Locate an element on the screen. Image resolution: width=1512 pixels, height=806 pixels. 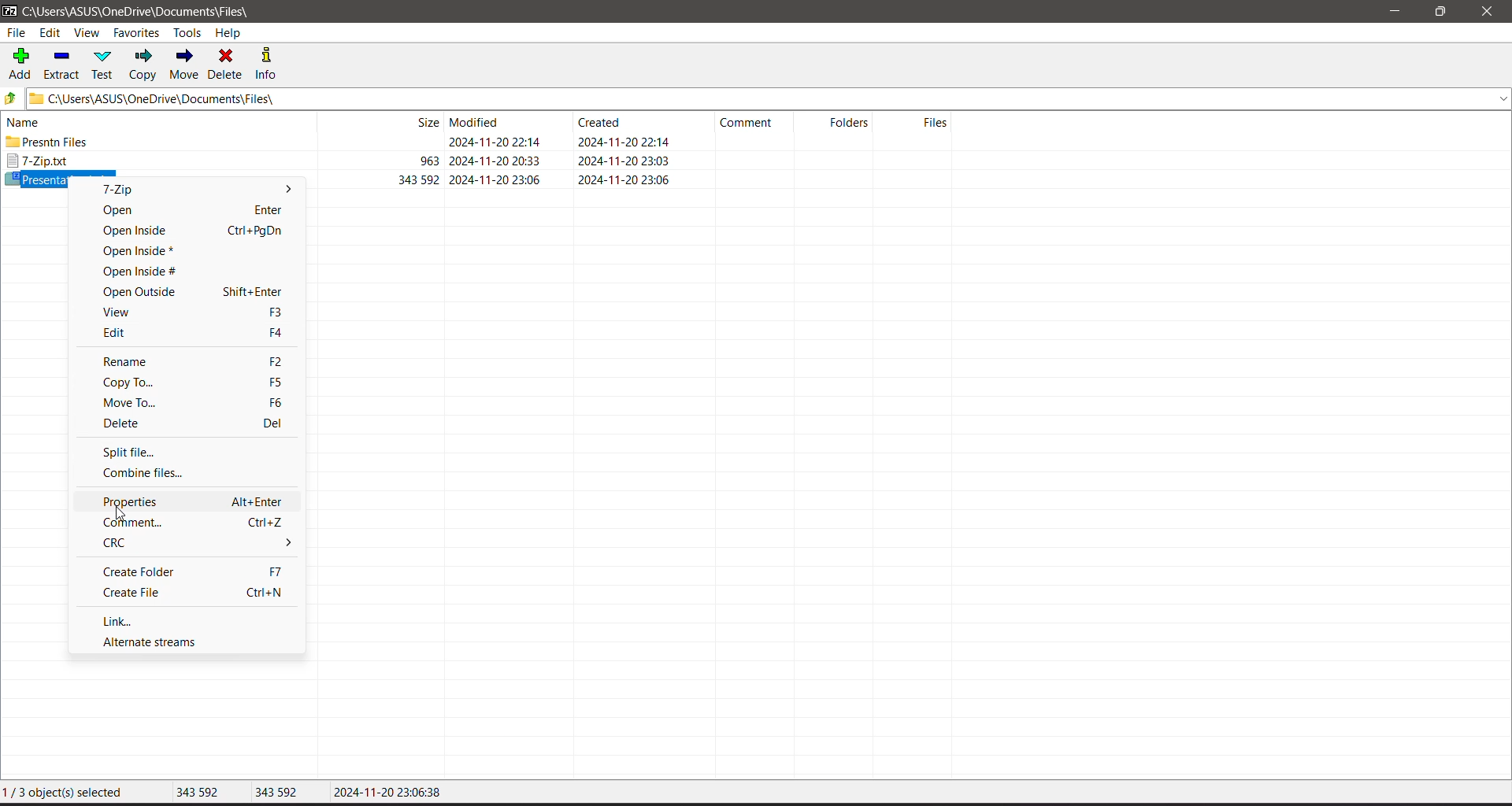
More options is located at coordinates (289, 192).